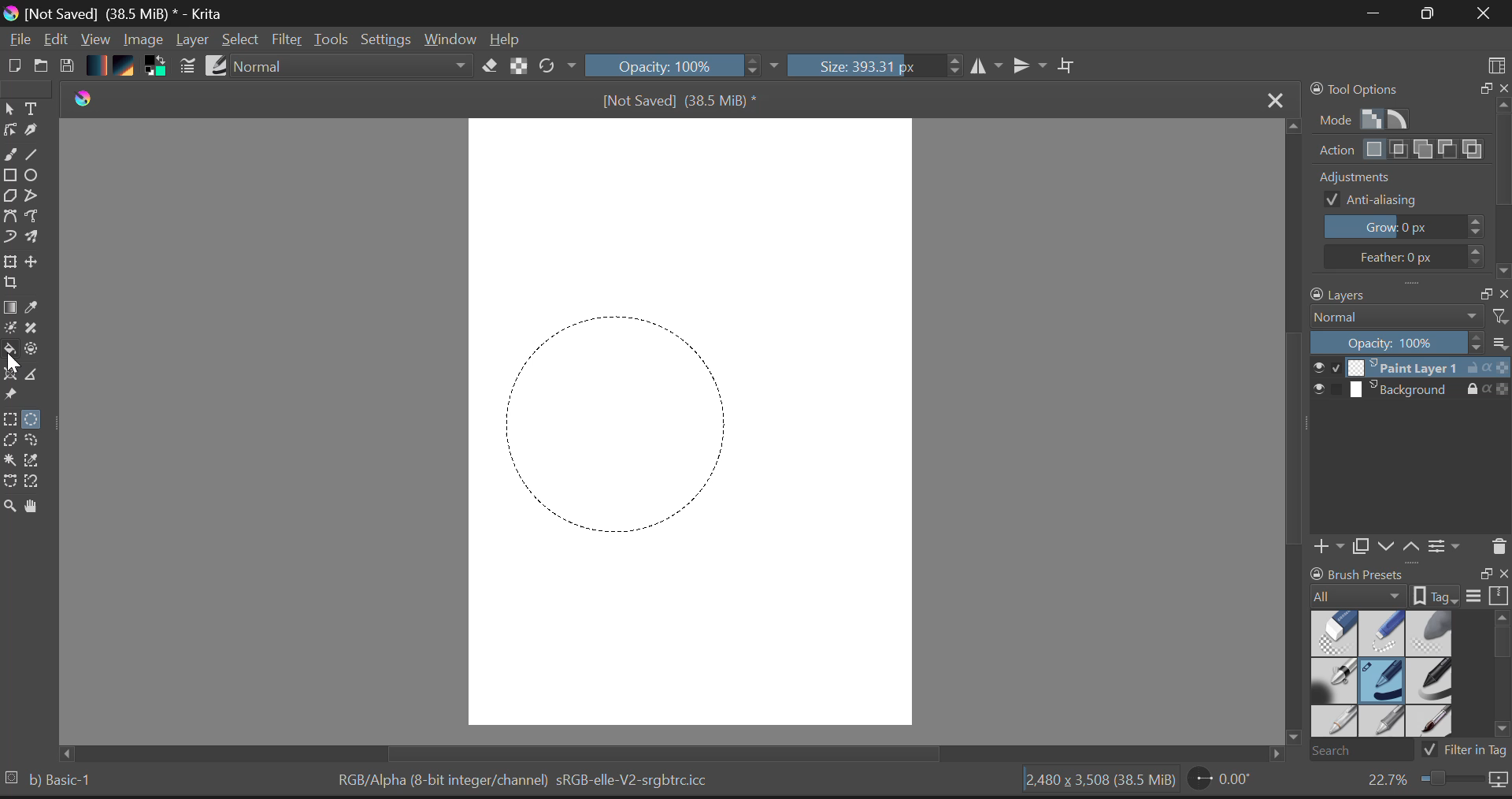 The height and width of the screenshot is (799, 1512). I want to click on Tools, so click(332, 39).